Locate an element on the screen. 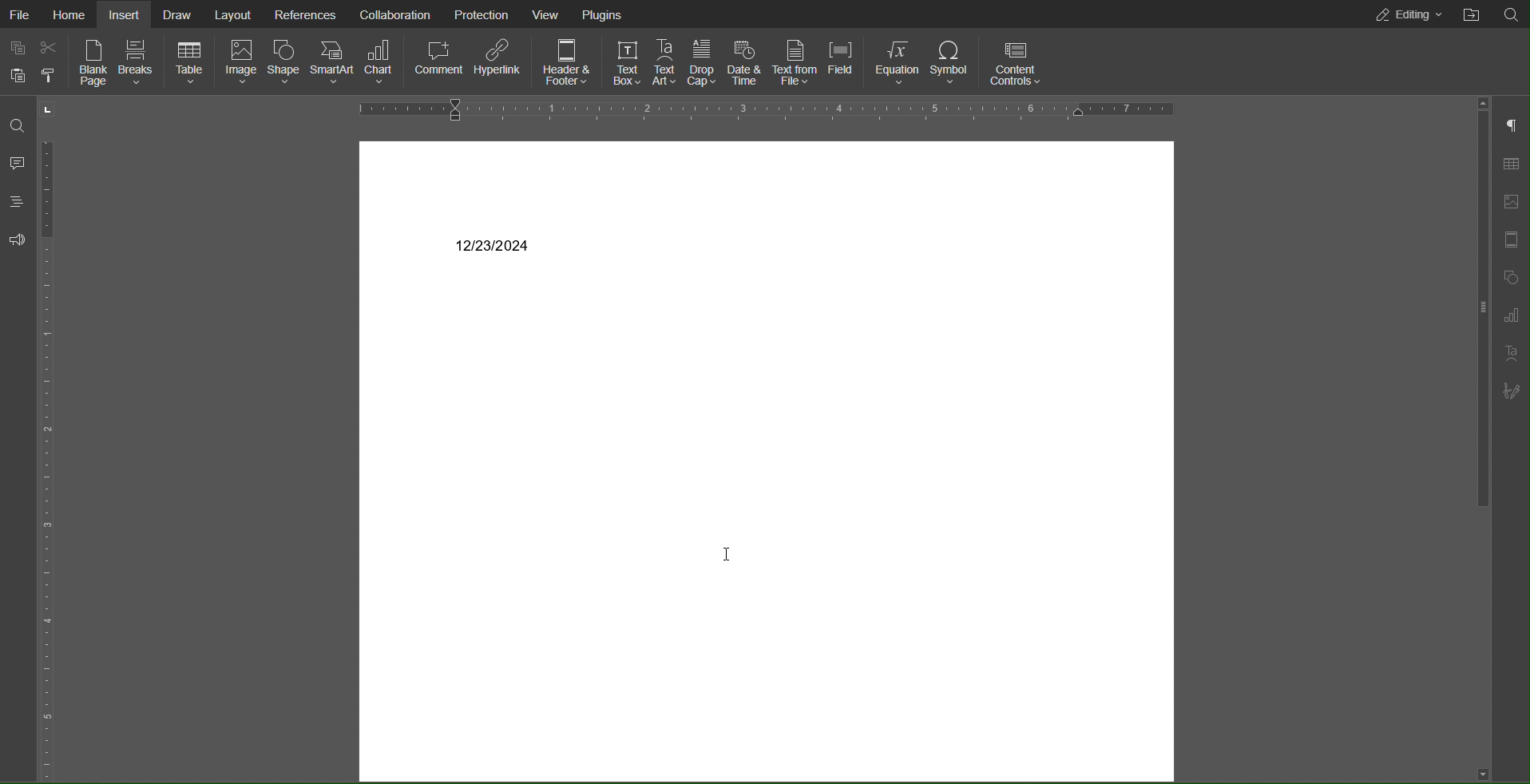 The image size is (1530, 784). Equation is located at coordinates (898, 62).